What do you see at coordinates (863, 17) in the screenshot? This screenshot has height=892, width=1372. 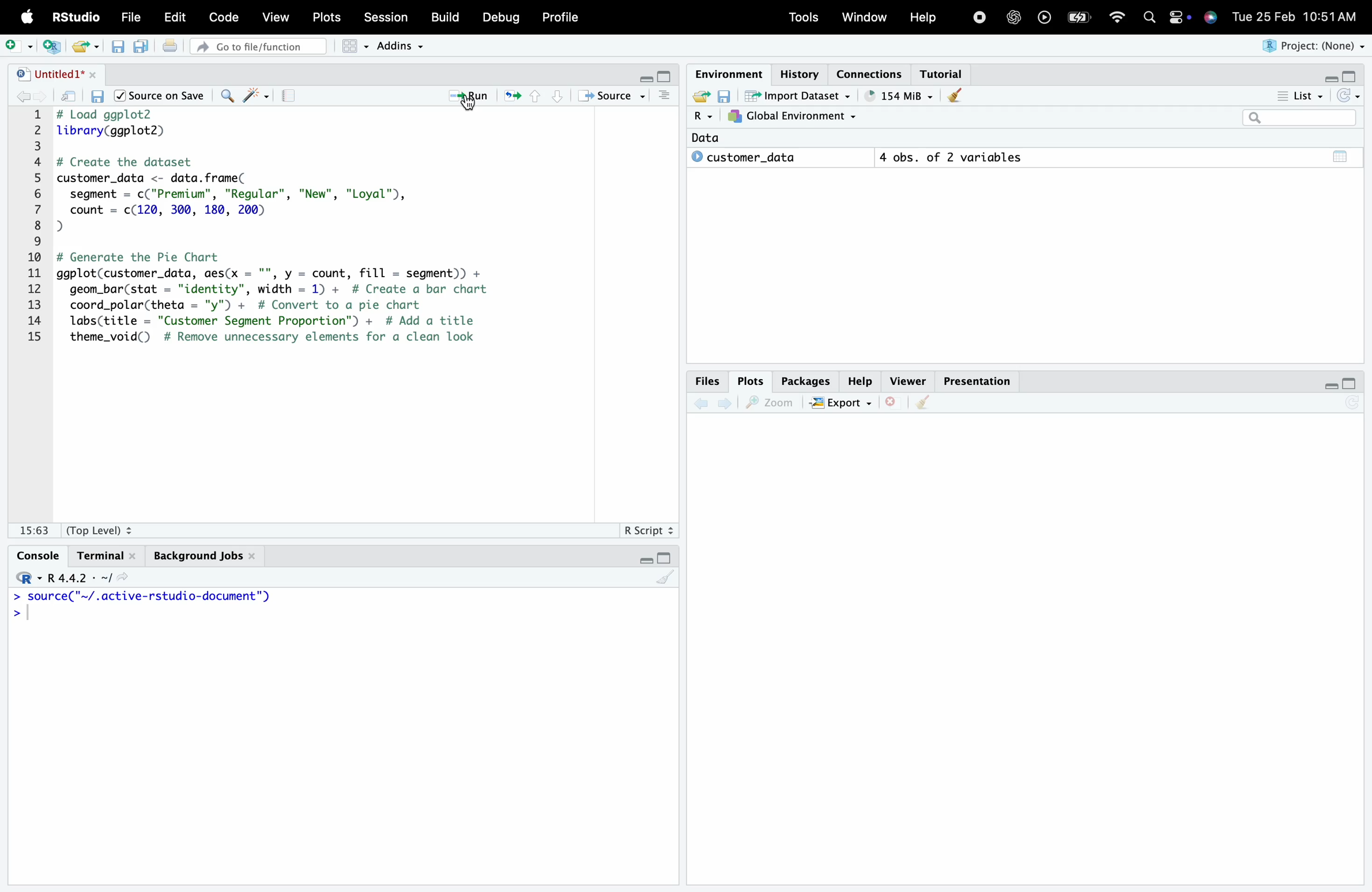 I see `Window` at bounding box center [863, 17].